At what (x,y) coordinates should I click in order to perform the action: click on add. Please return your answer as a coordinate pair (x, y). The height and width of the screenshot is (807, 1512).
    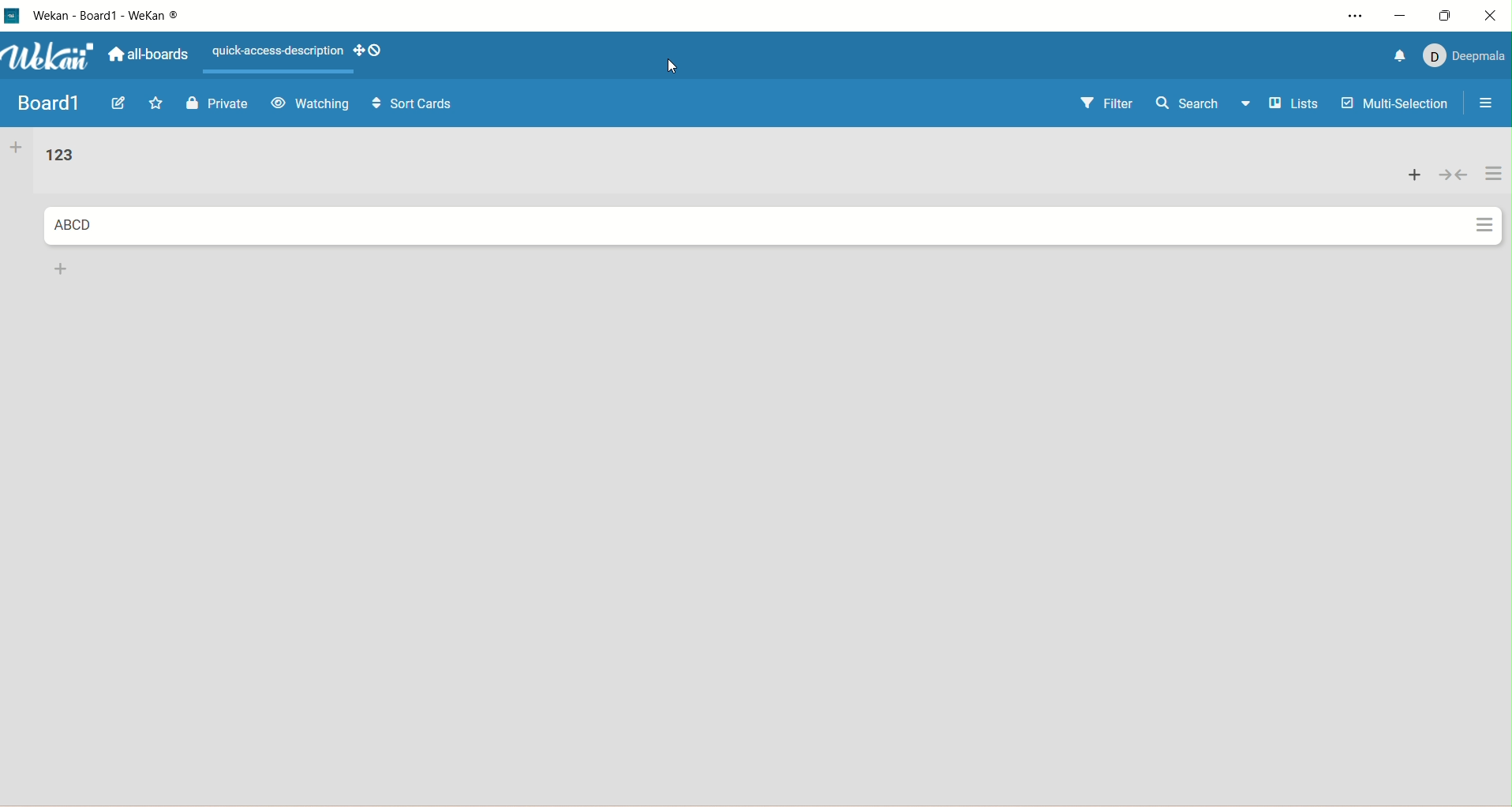
    Looking at the image, I should click on (1415, 174).